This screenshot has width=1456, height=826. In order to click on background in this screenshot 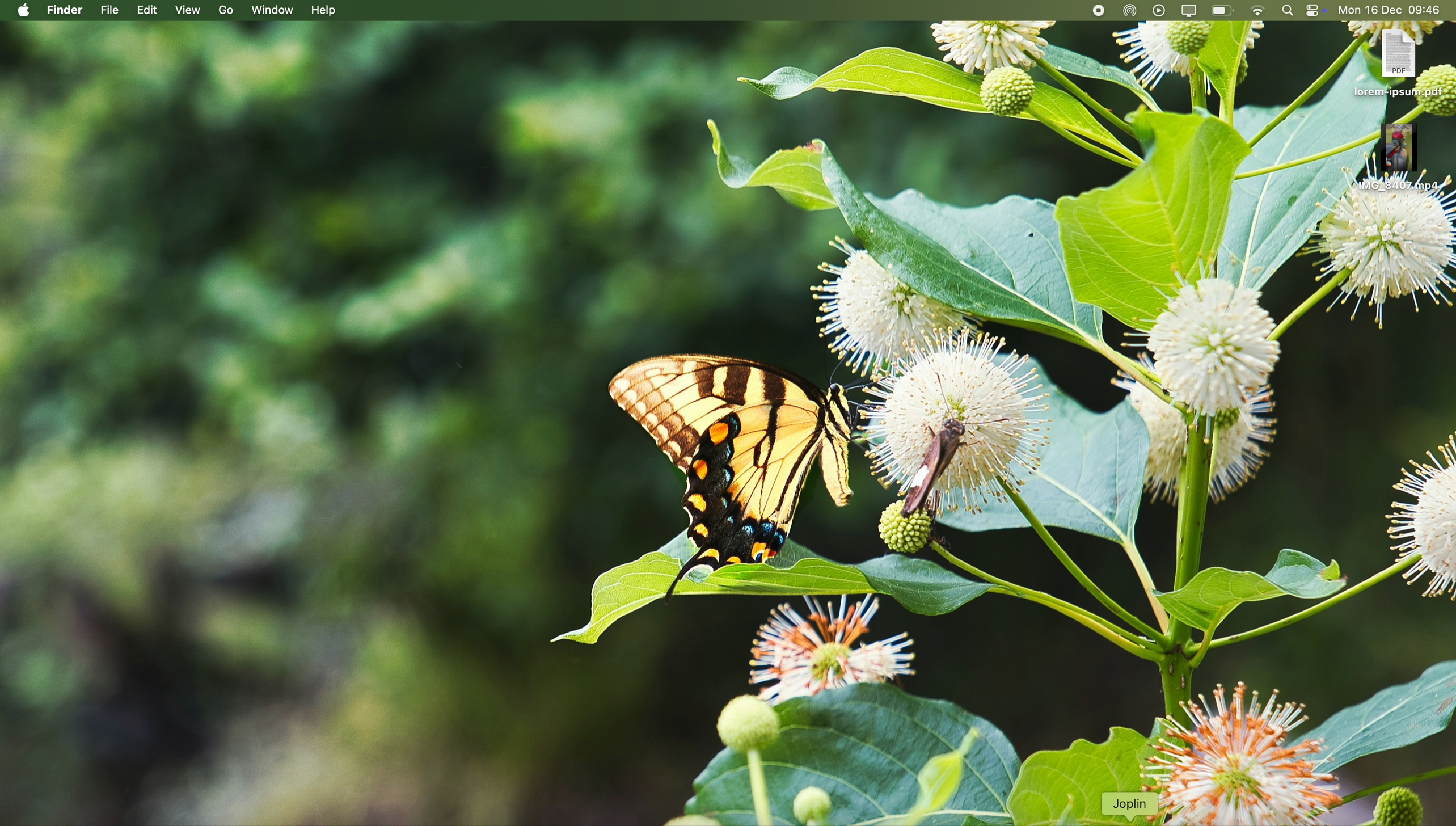, I will do `click(1398, 516)`.